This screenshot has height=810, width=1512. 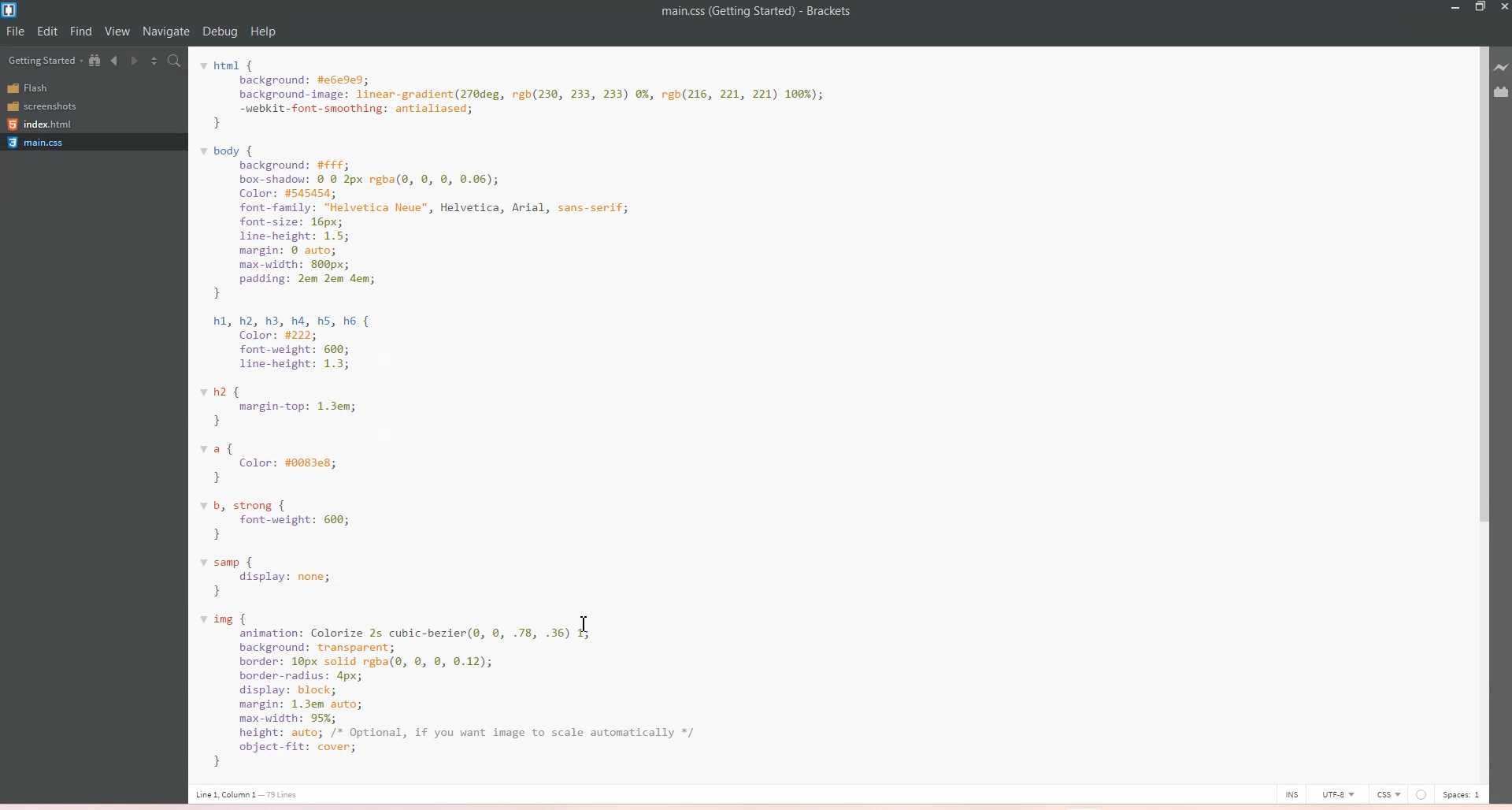 What do you see at coordinates (15, 32) in the screenshot?
I see `File` at bounding box center [15, 32].